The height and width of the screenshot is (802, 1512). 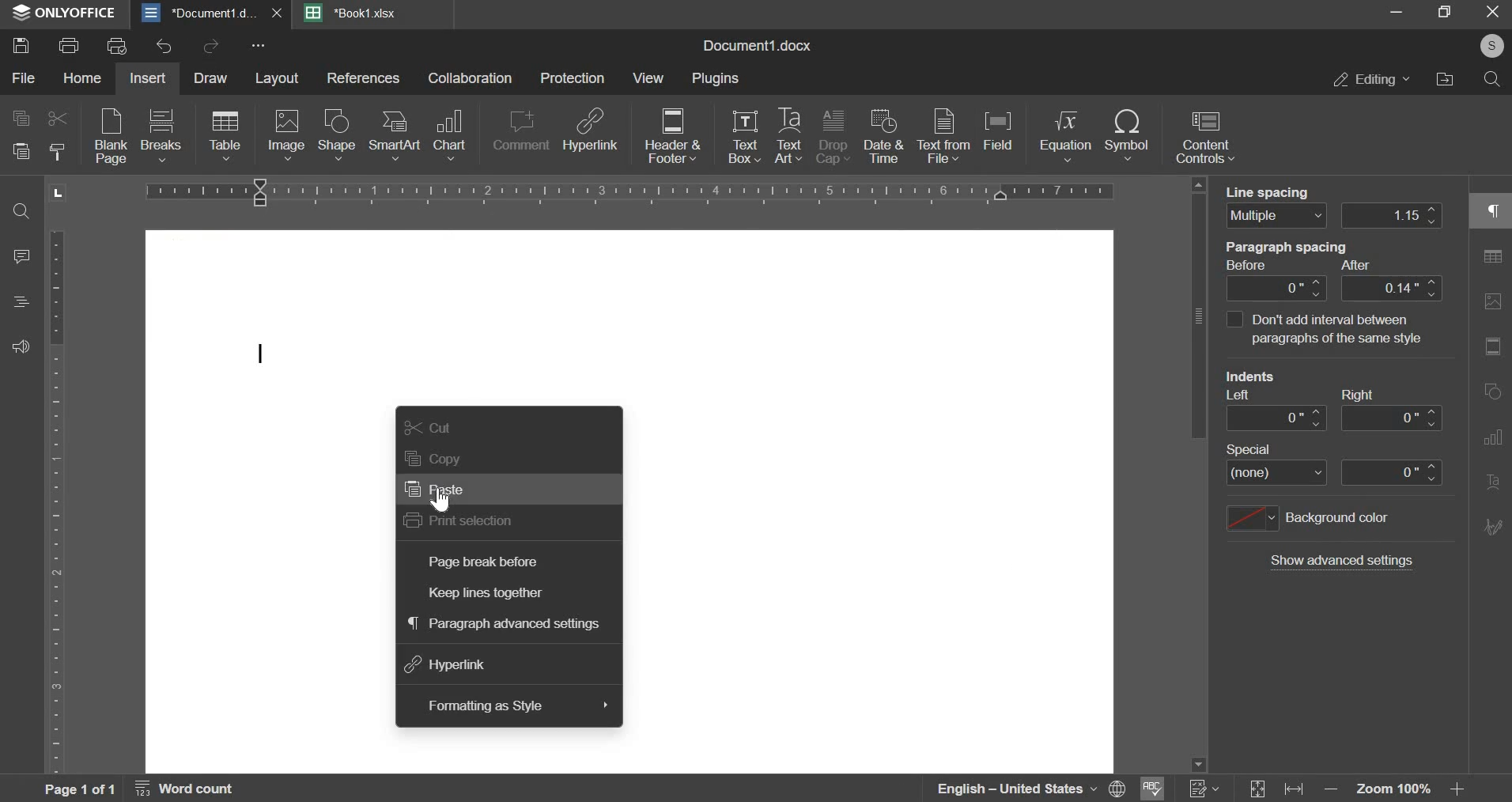 What do you see at coordinates (1204, 785) in the screenshot?
I see `numericals` at bounding box center [1204, 785].